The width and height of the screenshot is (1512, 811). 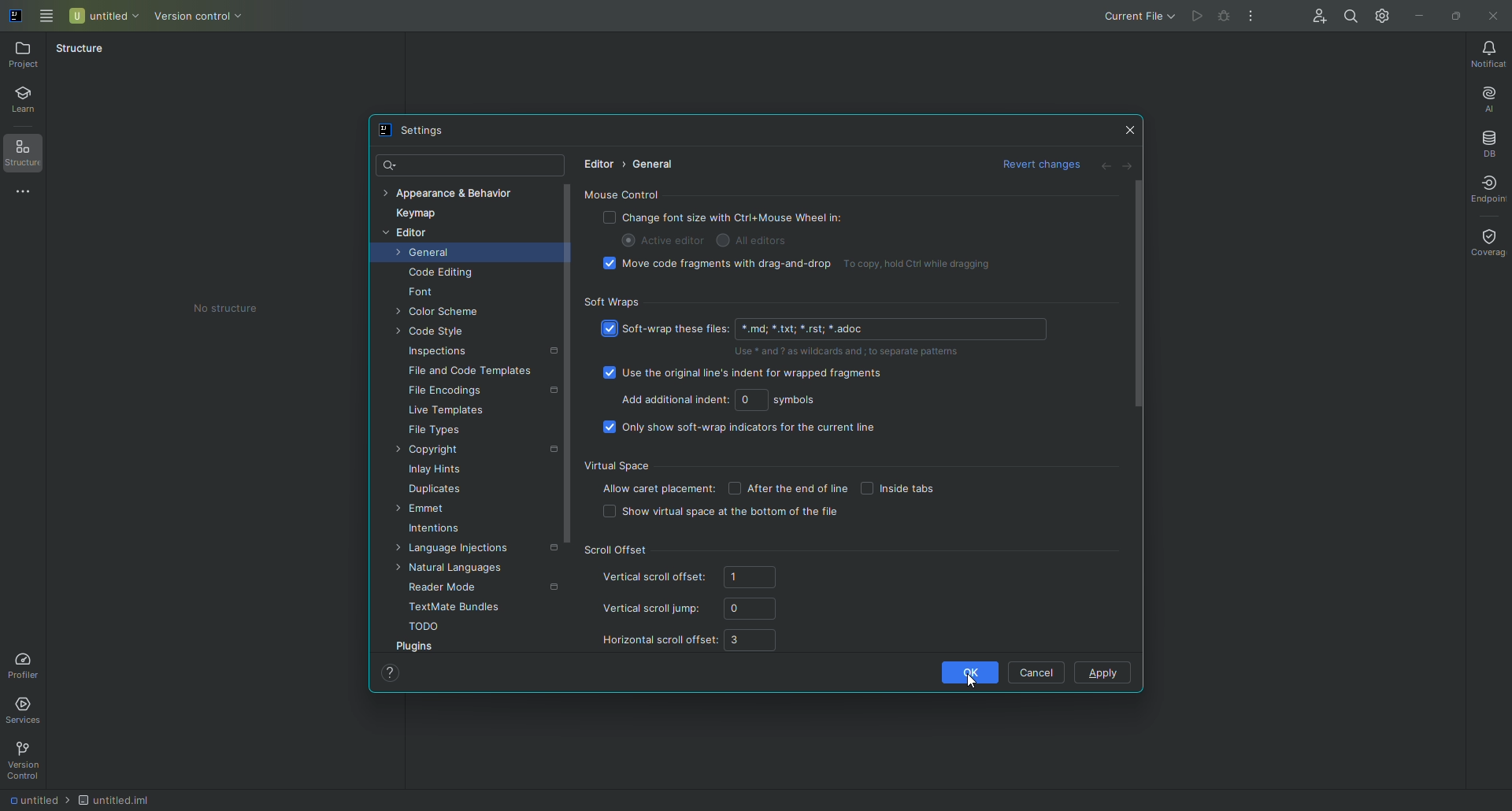 What do you see at coordinates (786, 488) in the screenshot?
I see `After the end of line` at bounding box center [786, 488].